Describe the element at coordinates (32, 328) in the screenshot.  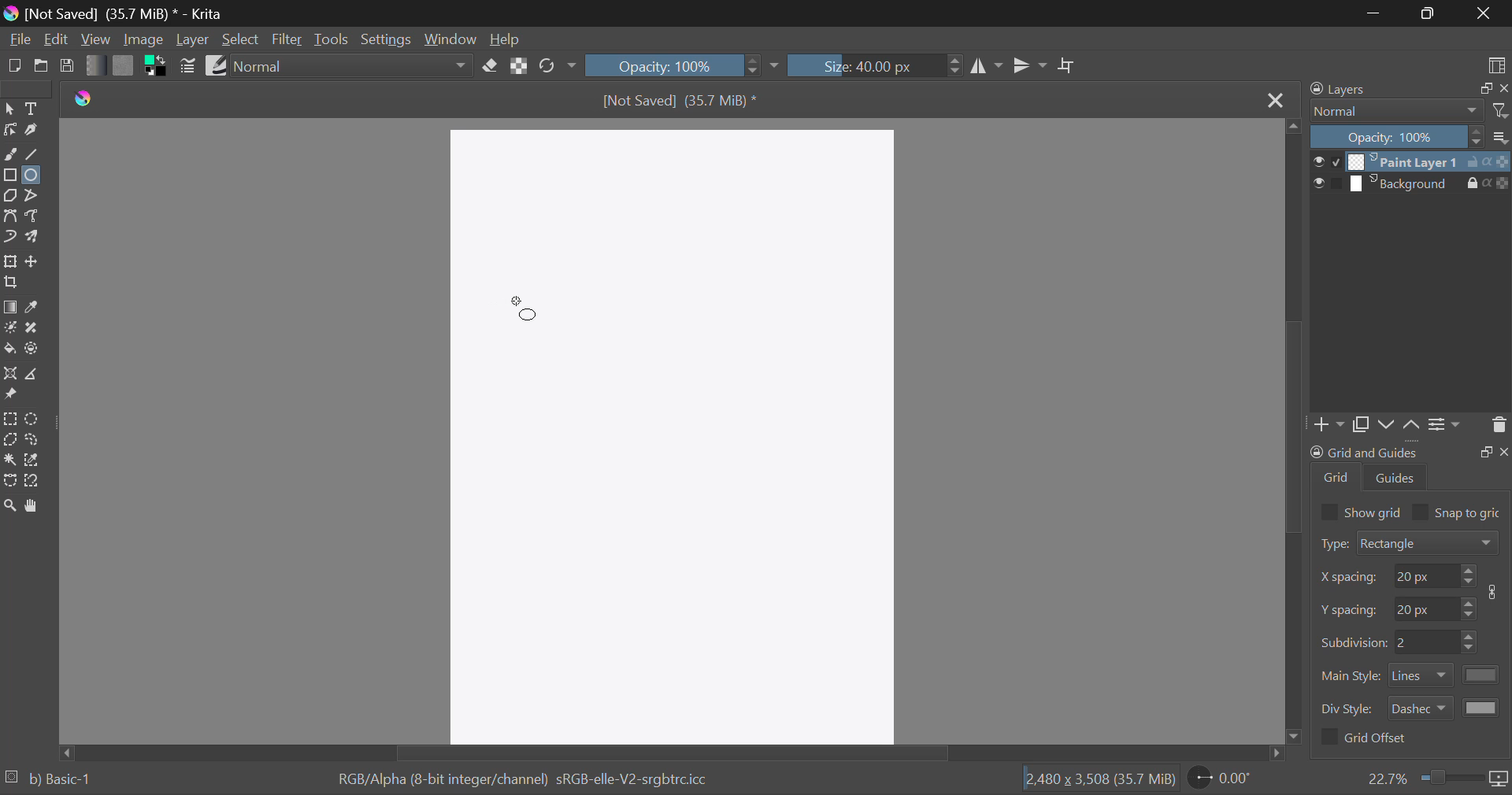
I see `Smart Patch Tool` at that location.